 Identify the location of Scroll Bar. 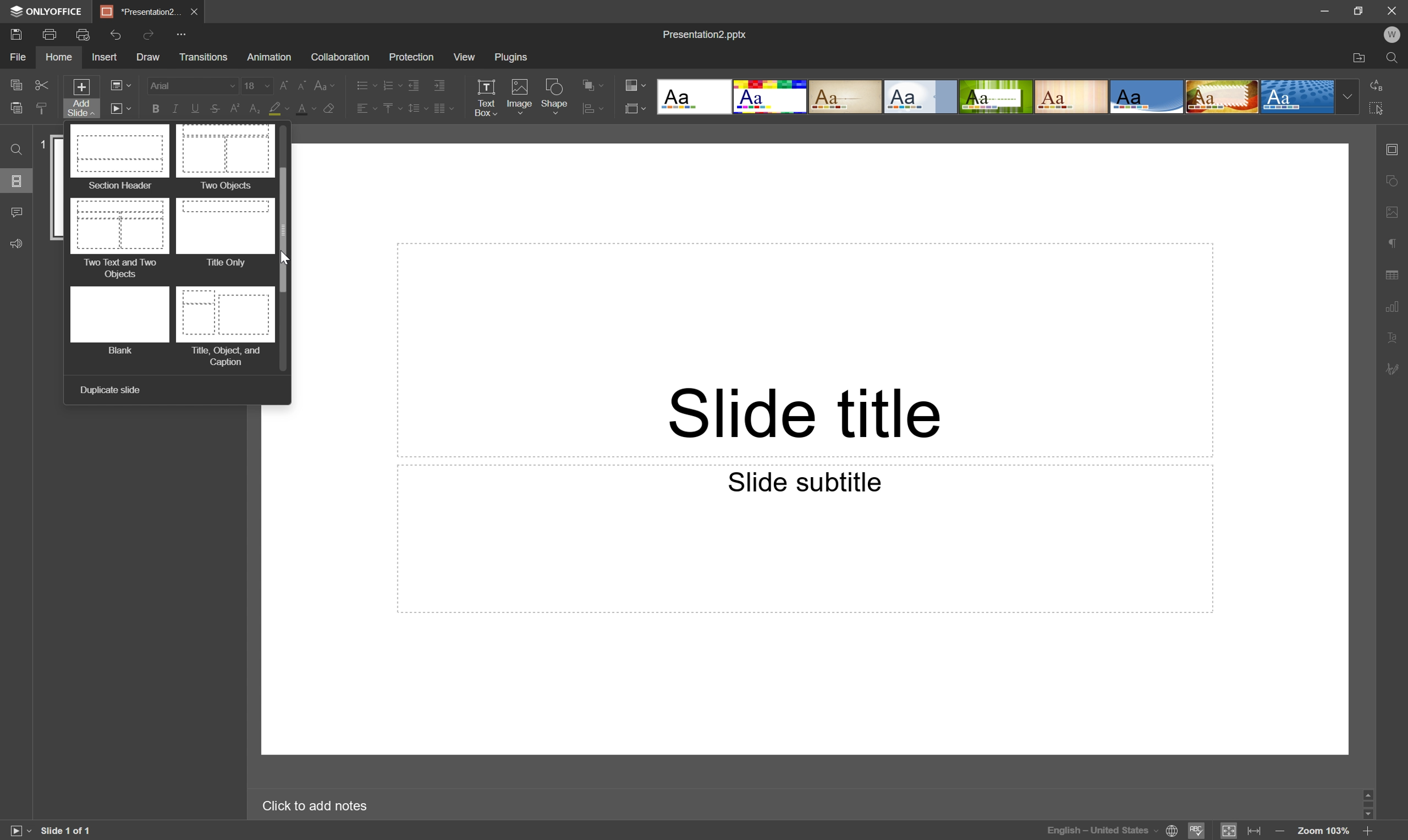
(1370, 800).